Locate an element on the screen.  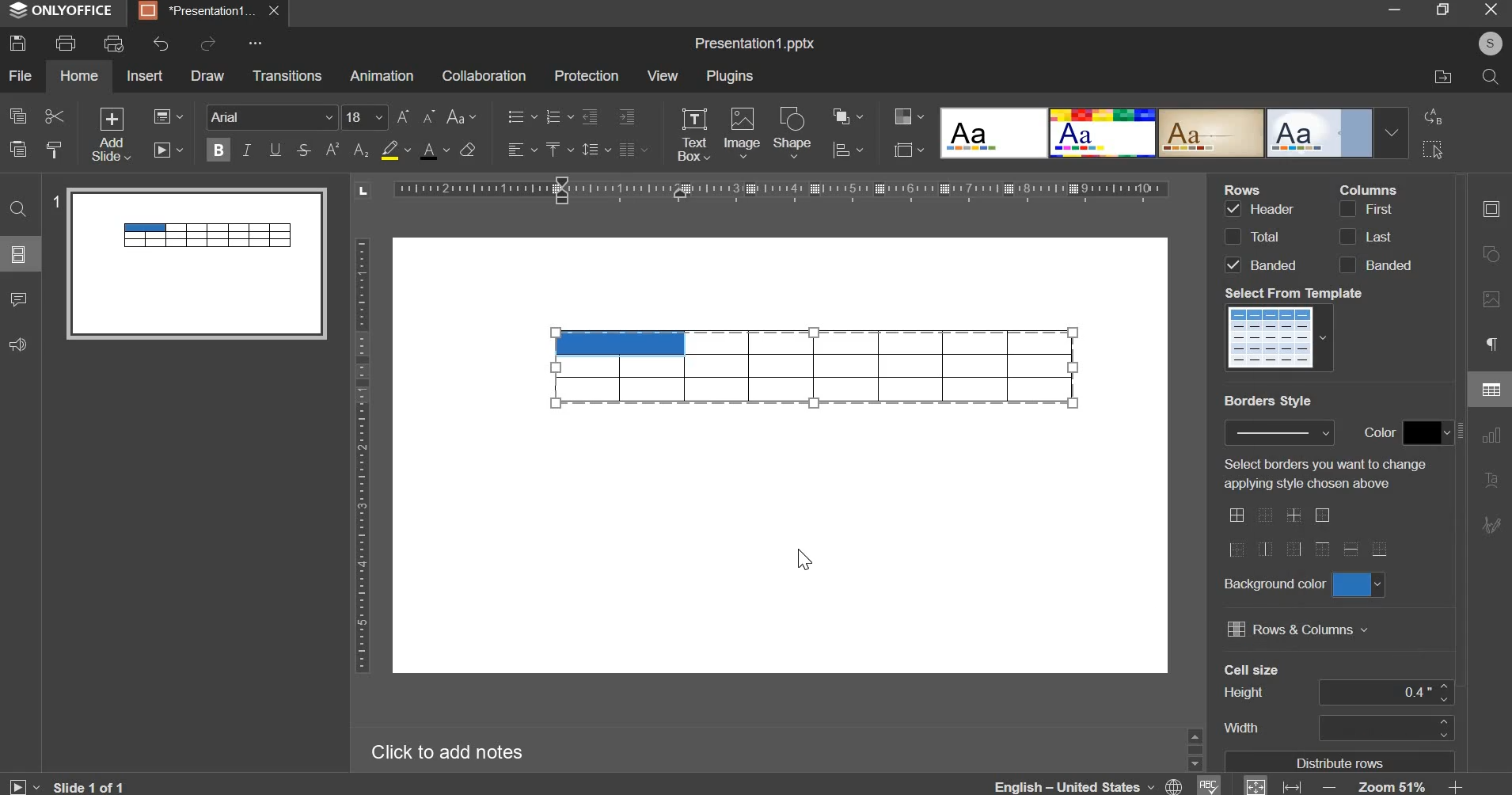
rows & columns is located at coordinates (1297, 629).